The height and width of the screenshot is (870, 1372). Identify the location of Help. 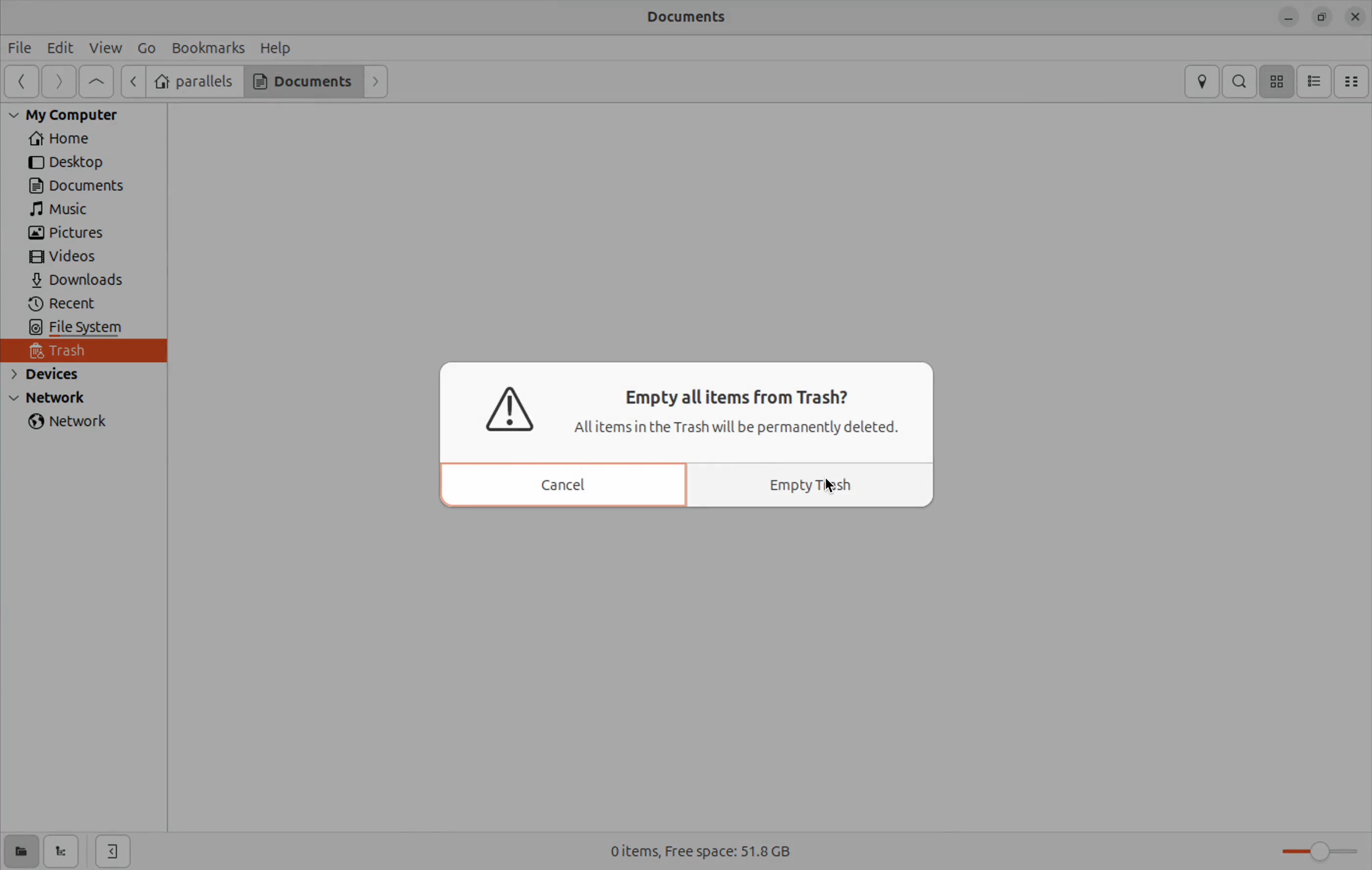
(278, 47).